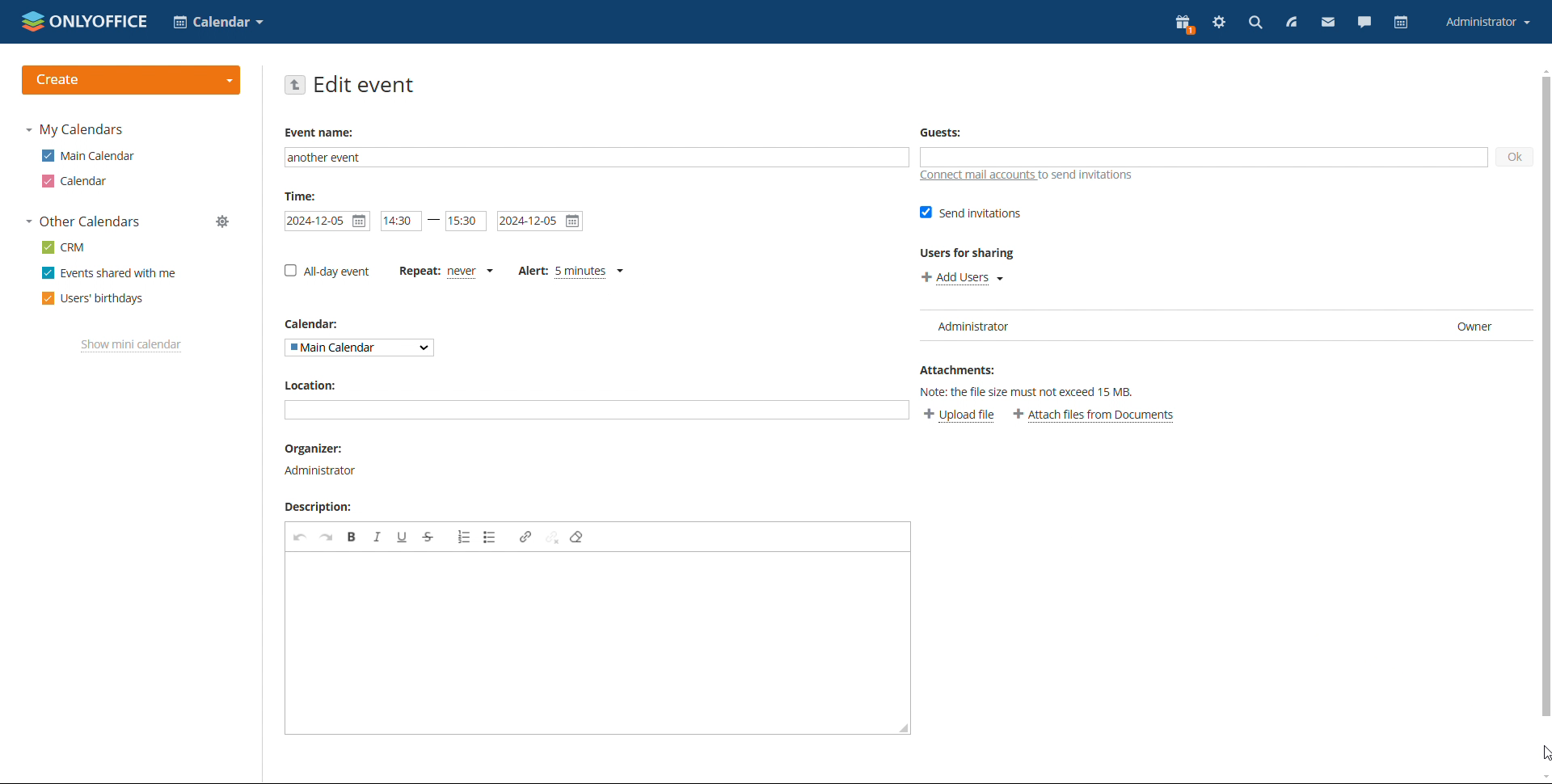 The height and width of the screenshot is (784, 1552). Describe the element at coordinates (323, 470) in the screenshot. I see `Administrator` at that location.